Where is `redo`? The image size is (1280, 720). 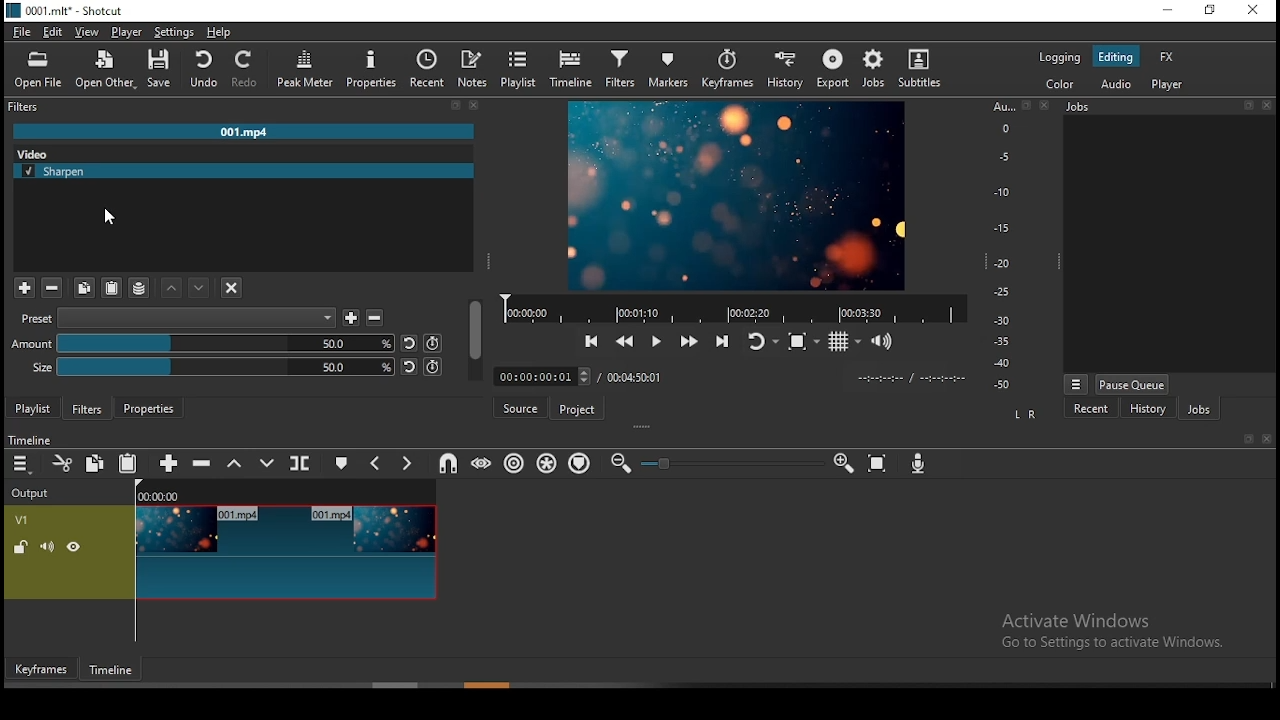
redo is located at coordinates (437, 367).